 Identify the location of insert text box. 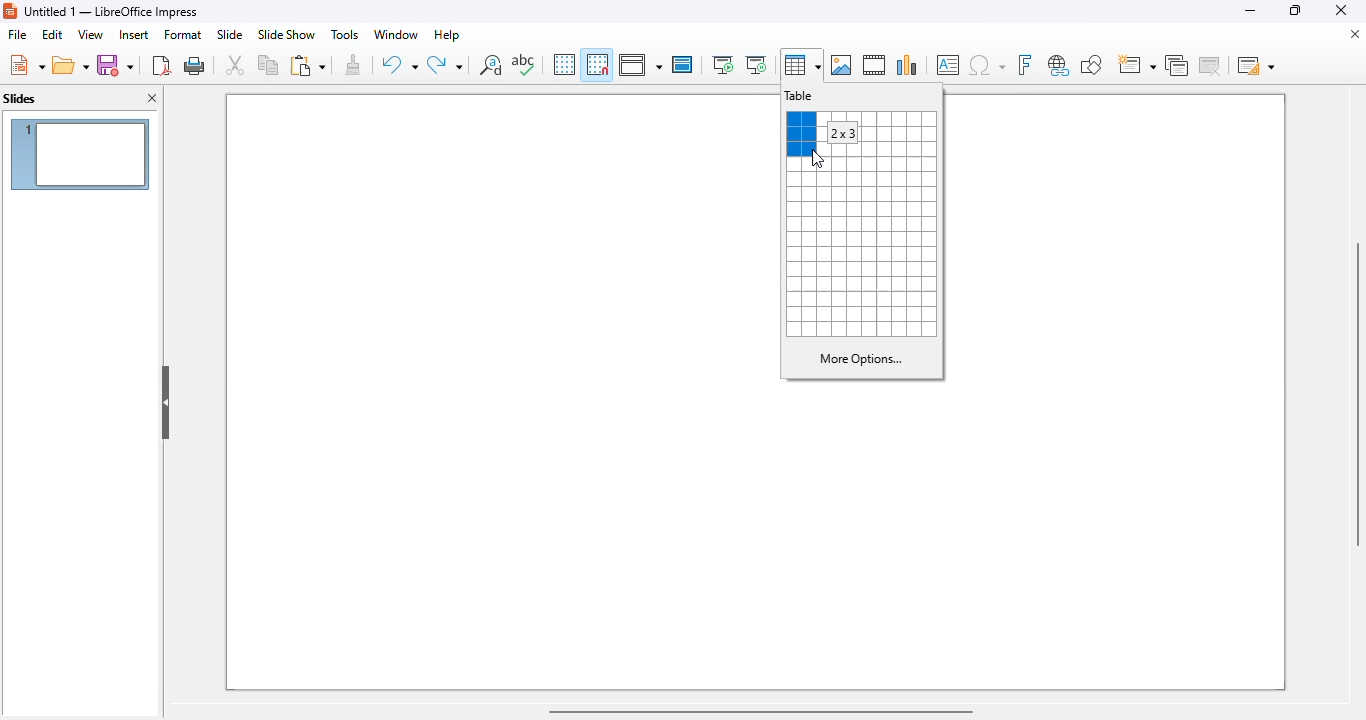
(949, 65).